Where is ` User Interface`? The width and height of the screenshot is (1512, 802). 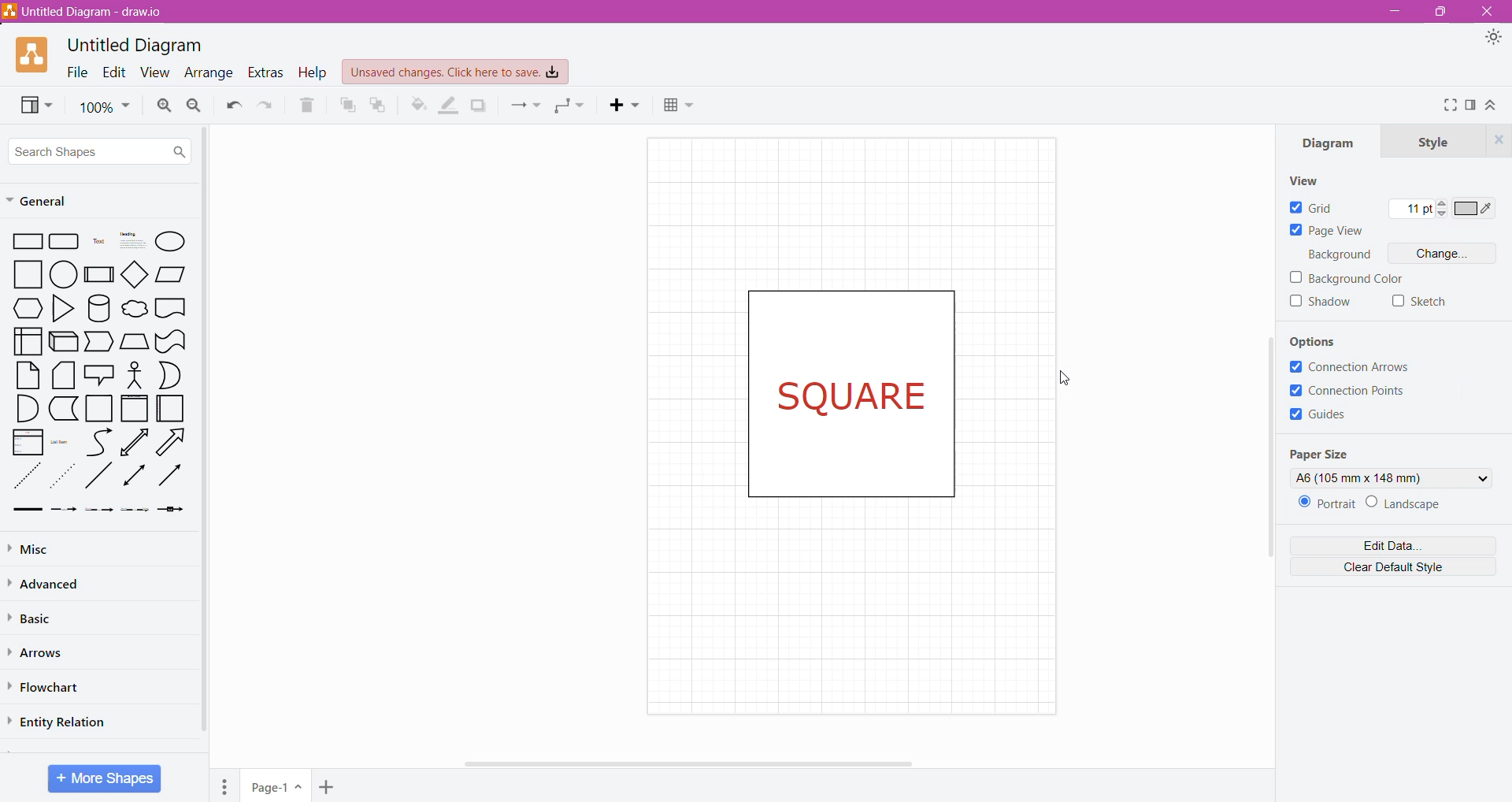
 User Interface is located at coordinates (27, 340).